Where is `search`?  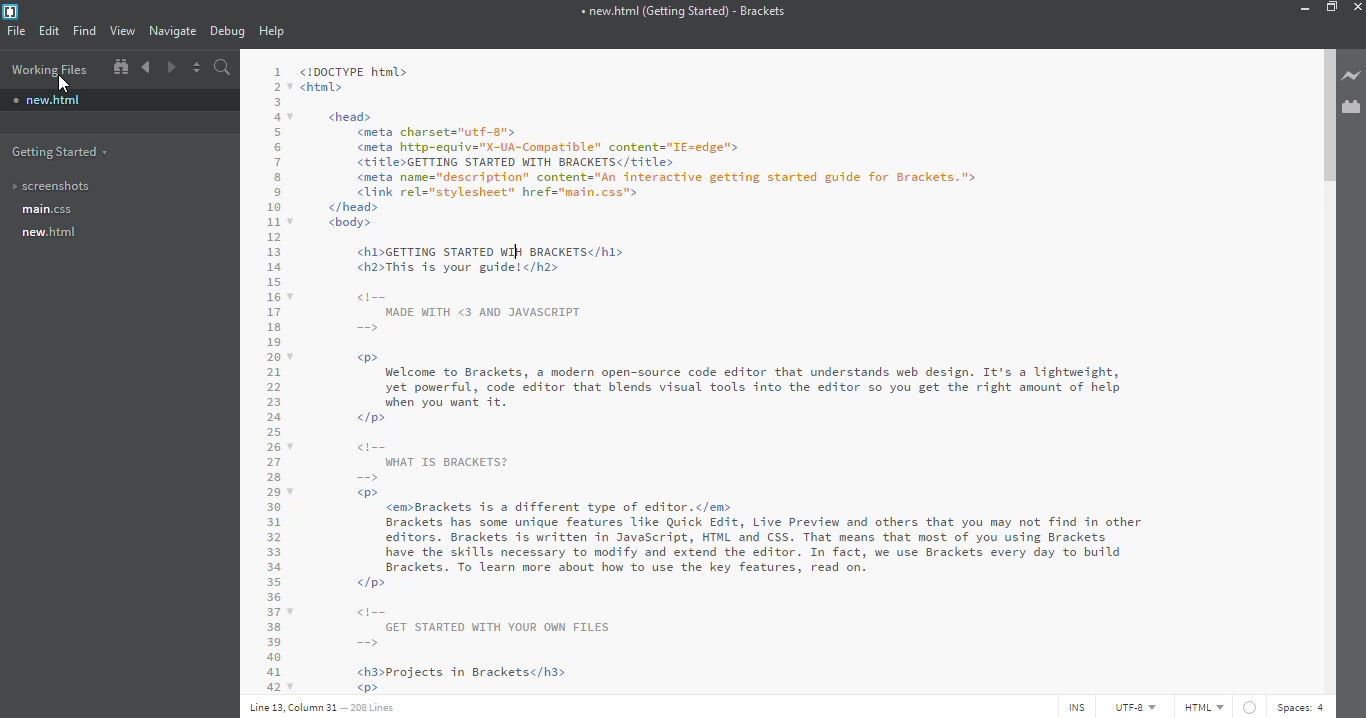 search is located at coordinates (224, 67).